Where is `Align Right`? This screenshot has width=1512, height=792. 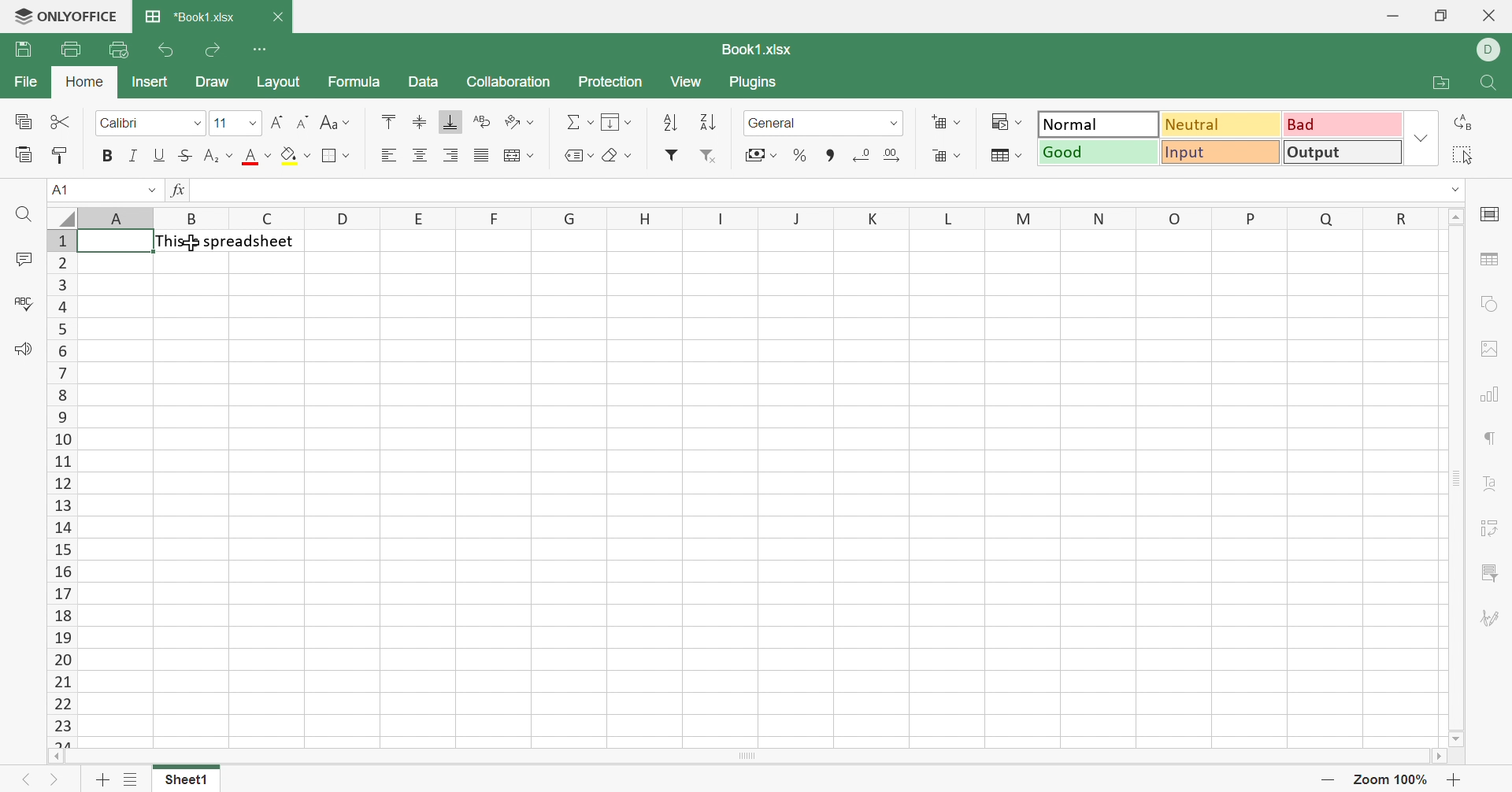
Align Right is located at coordinates (452, 154).